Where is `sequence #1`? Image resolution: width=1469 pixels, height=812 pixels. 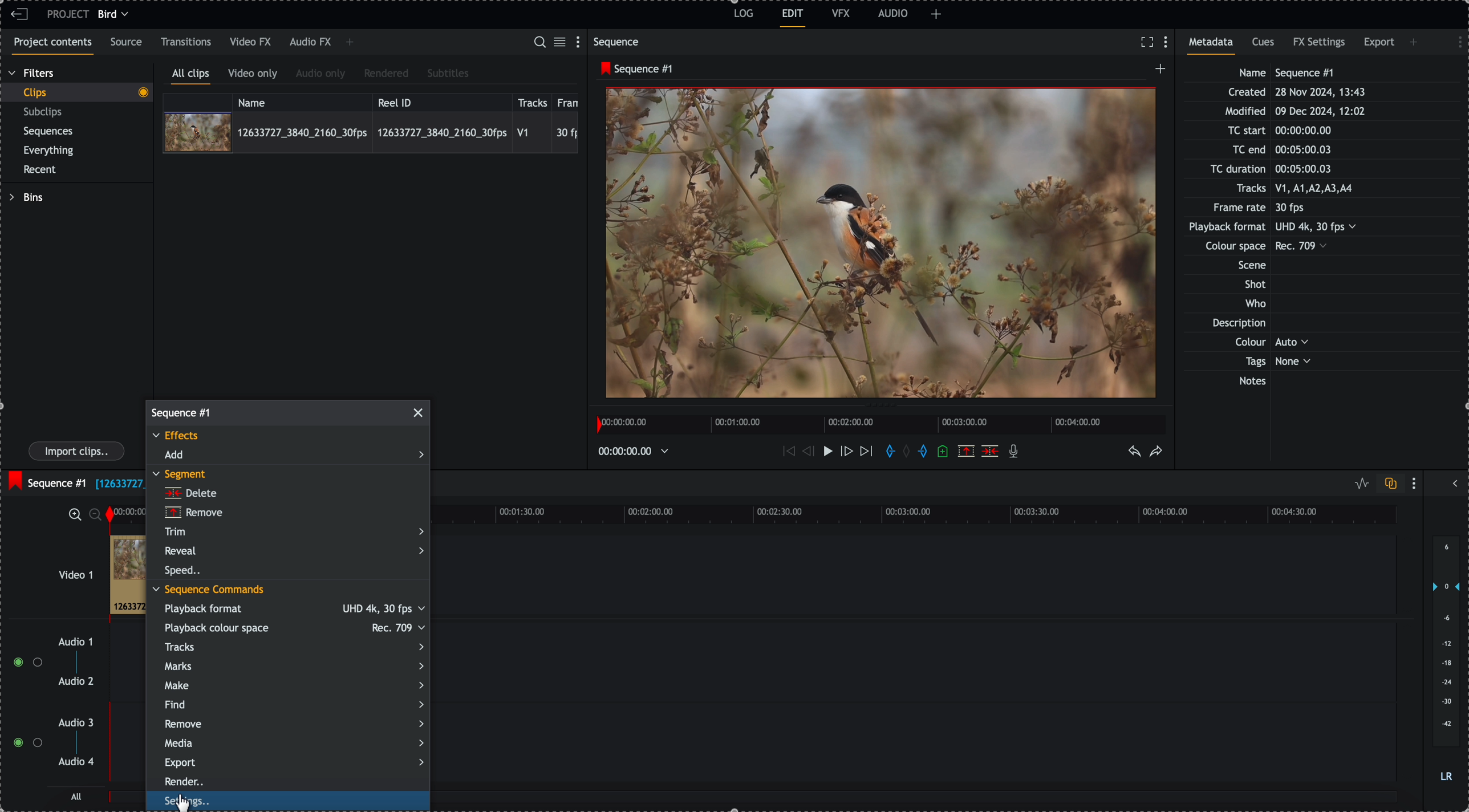
sequence #1 is located at coordinates (46, 480).